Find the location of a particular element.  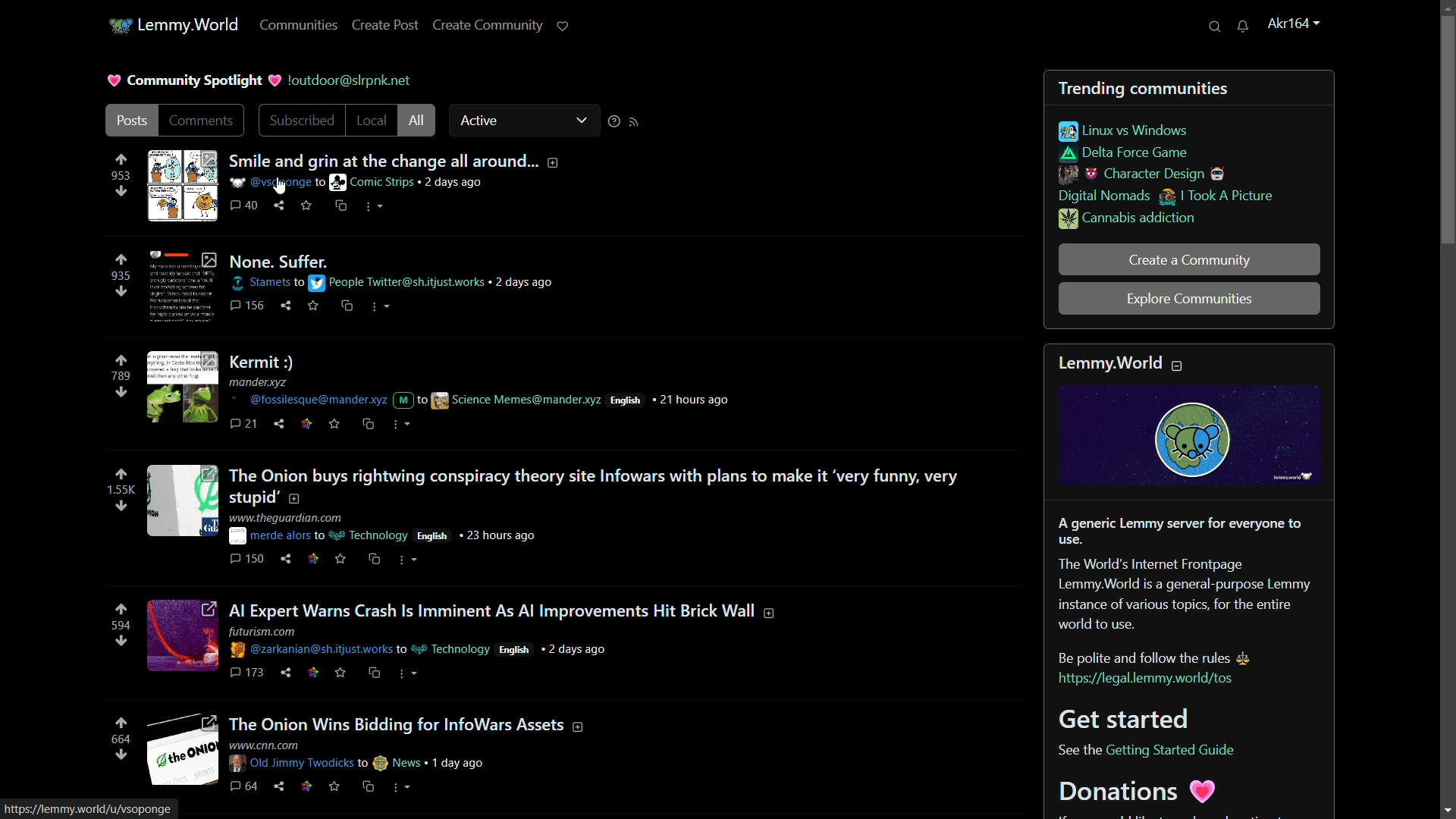

image is located at coordinates (182, 187).